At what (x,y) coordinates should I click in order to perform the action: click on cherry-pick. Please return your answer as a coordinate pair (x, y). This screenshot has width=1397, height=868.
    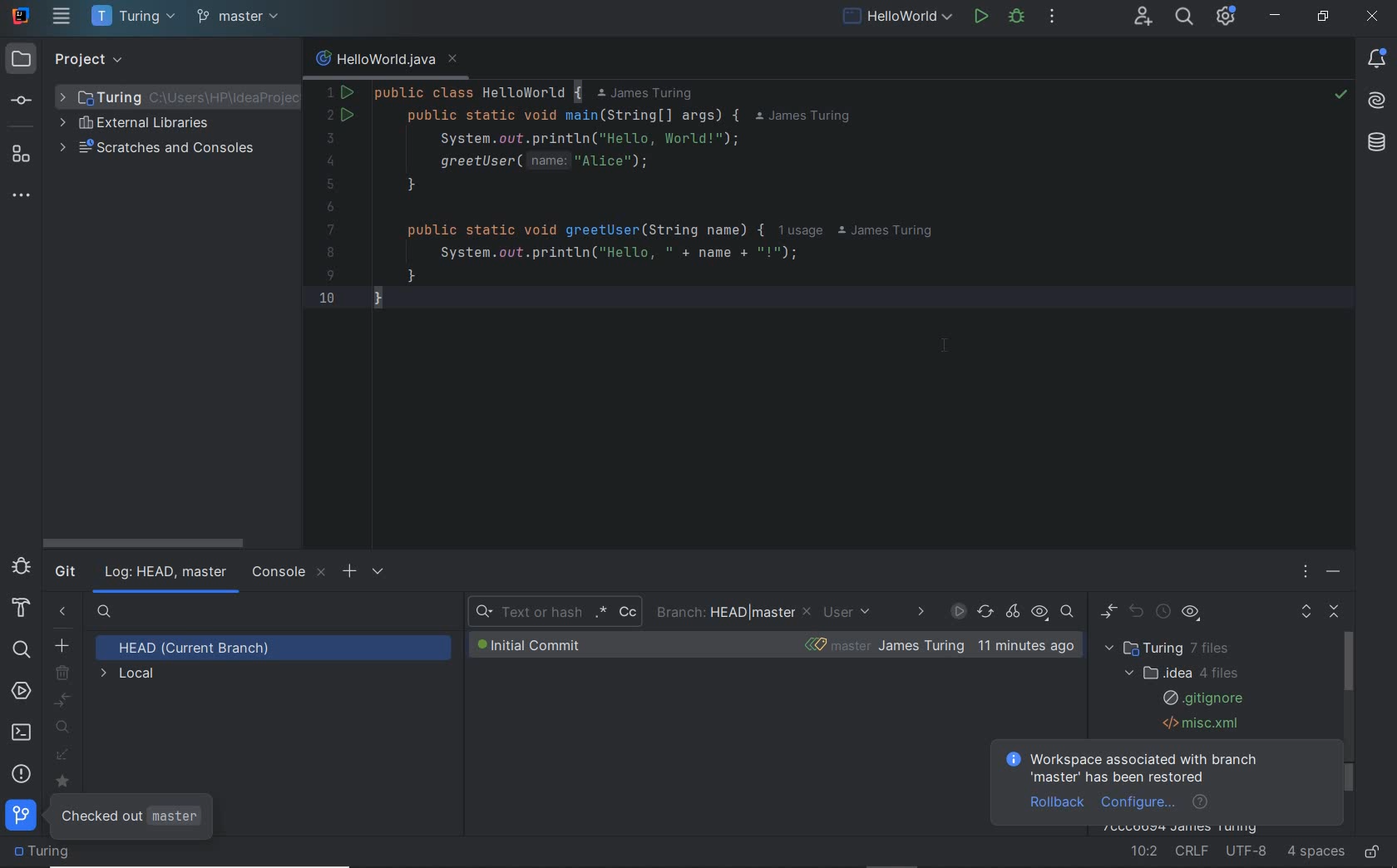
    Looking at the image, I should click on (1014, 613).